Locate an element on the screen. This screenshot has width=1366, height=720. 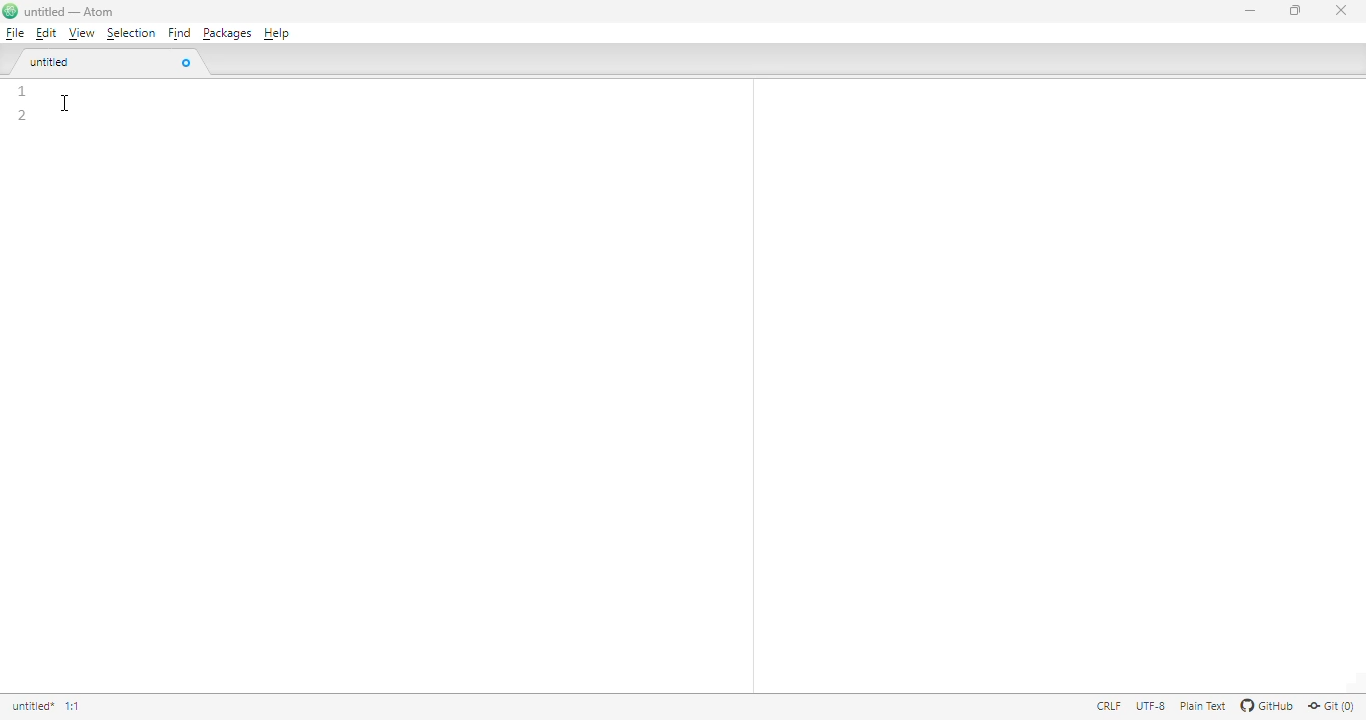
selection is located at coordinates (131, 34).